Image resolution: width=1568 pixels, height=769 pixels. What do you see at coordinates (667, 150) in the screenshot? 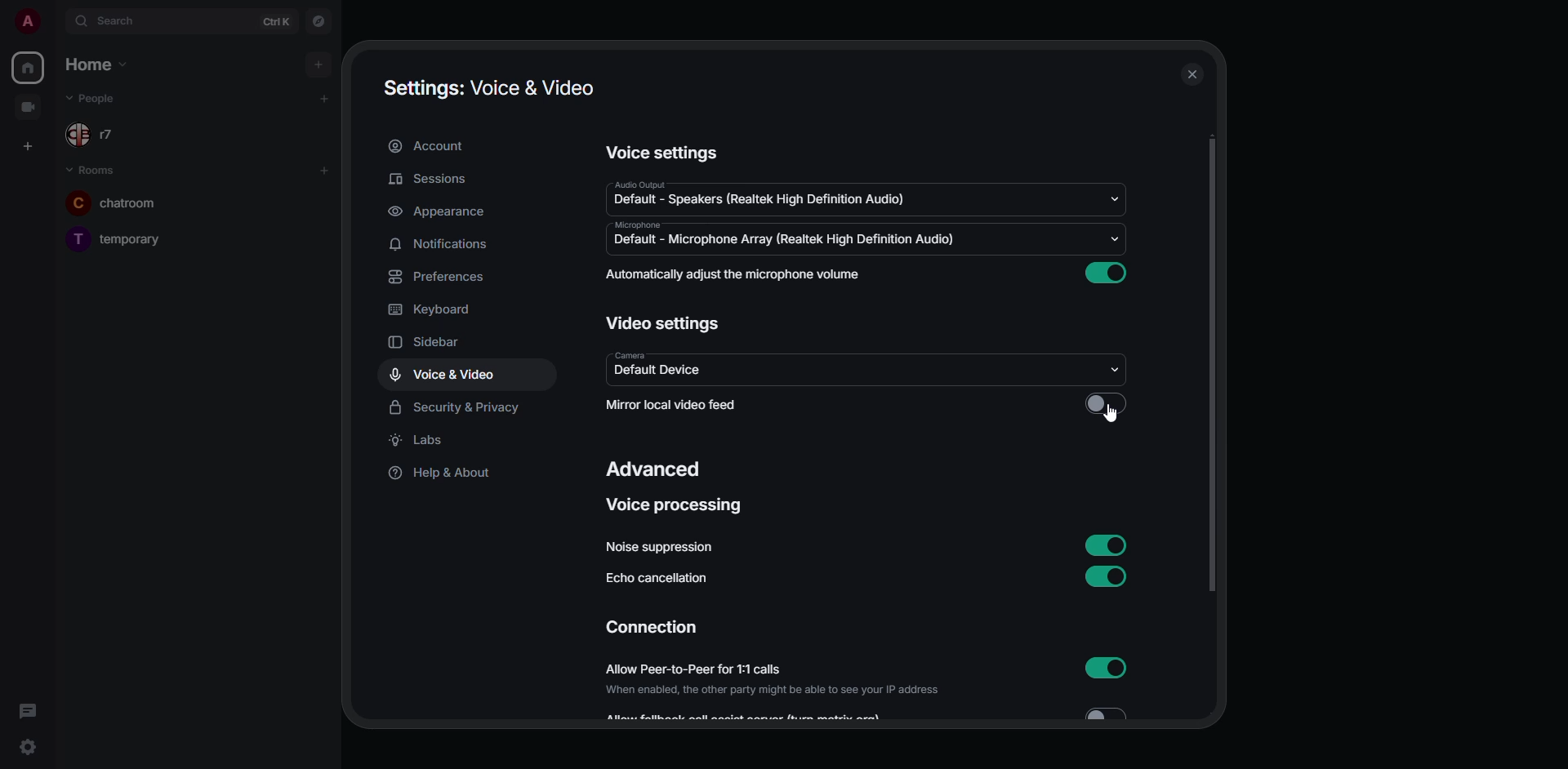
I see `voice settings` at bounding box center [667, 150].